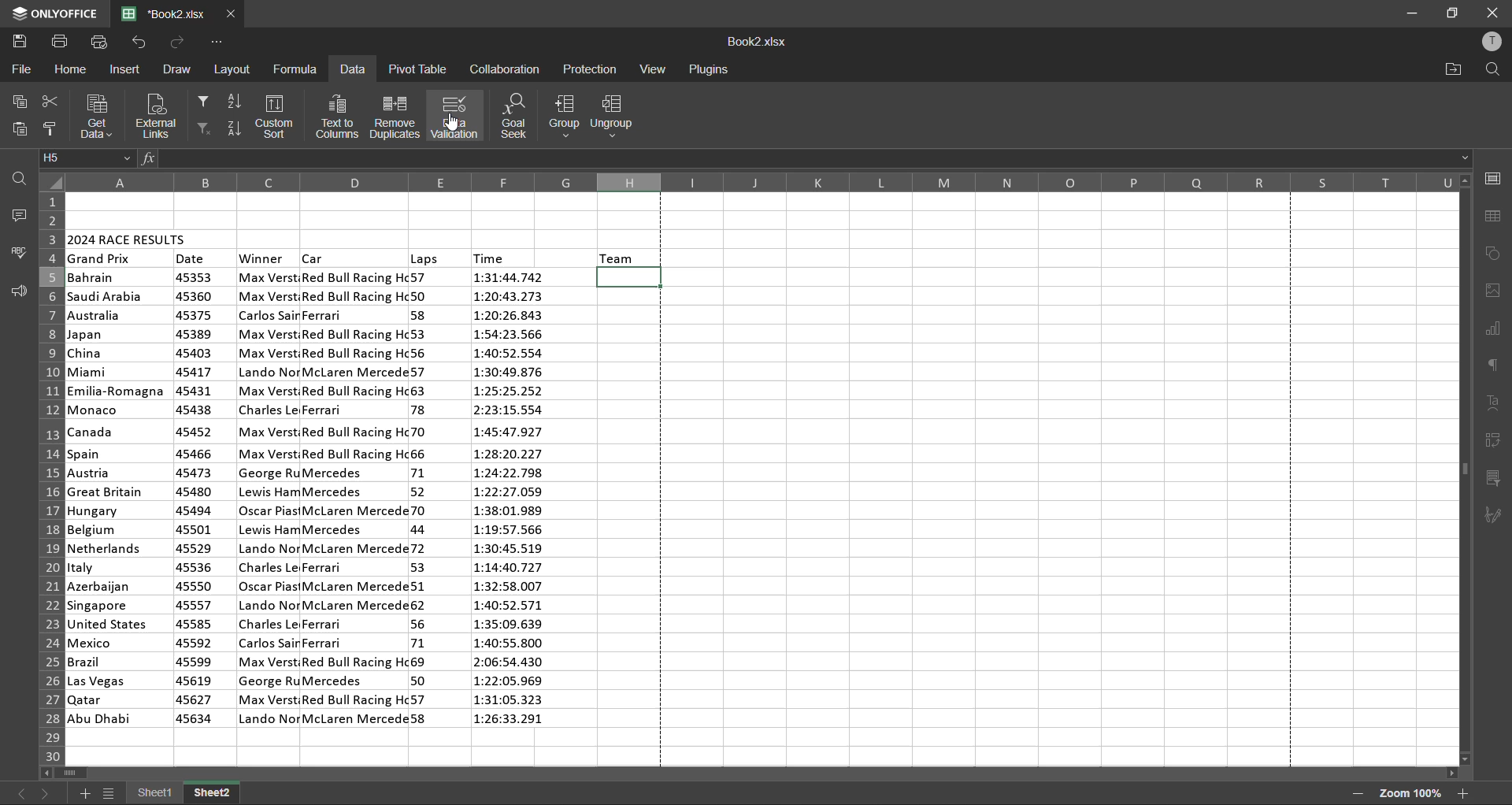  Describe the element at coordinates (751, 775) in the screenshot. I see `scrollbar` at that location.